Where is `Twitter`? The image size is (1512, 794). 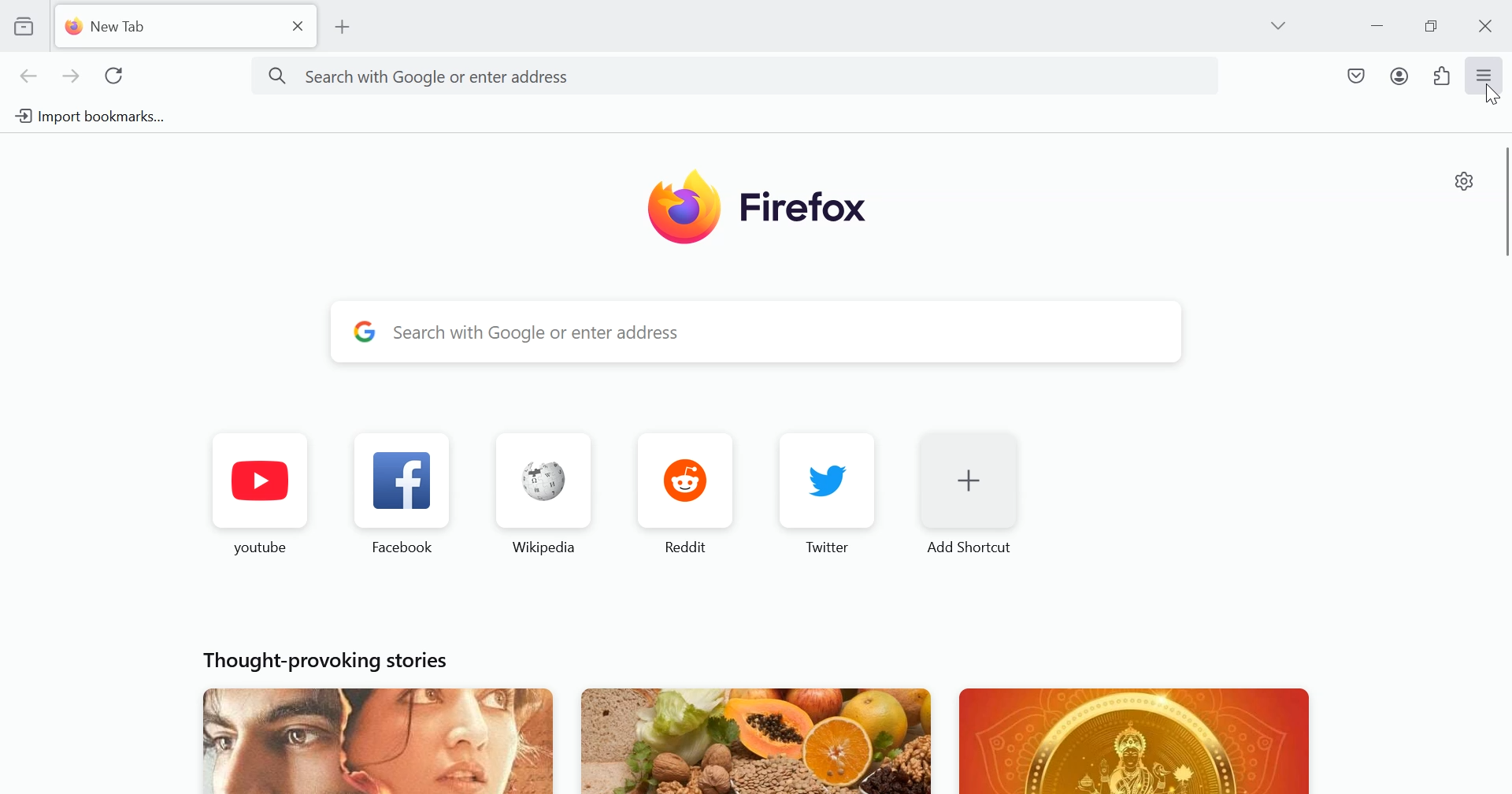 Twitter is located at coordinates (828, 494).